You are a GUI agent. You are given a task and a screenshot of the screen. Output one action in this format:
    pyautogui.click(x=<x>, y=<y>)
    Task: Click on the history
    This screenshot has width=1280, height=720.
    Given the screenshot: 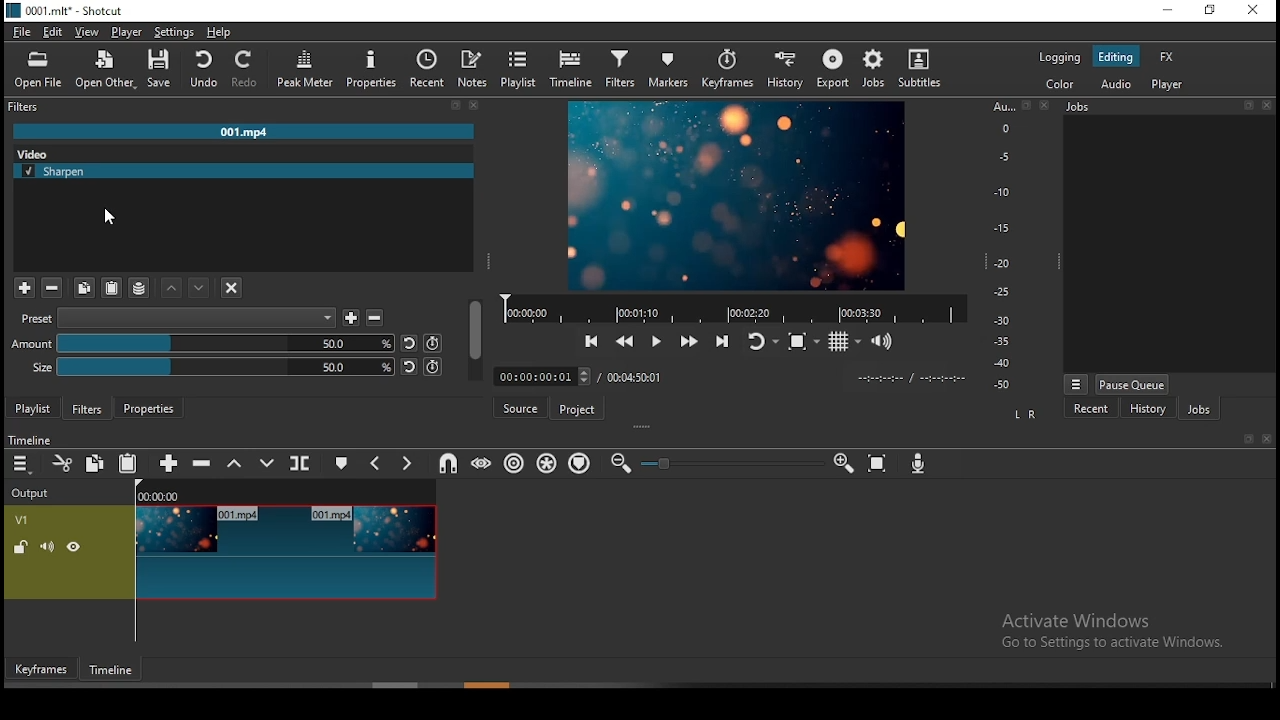 What is the action you would take?
    pyautogui.click(x=1150, y=408)
    